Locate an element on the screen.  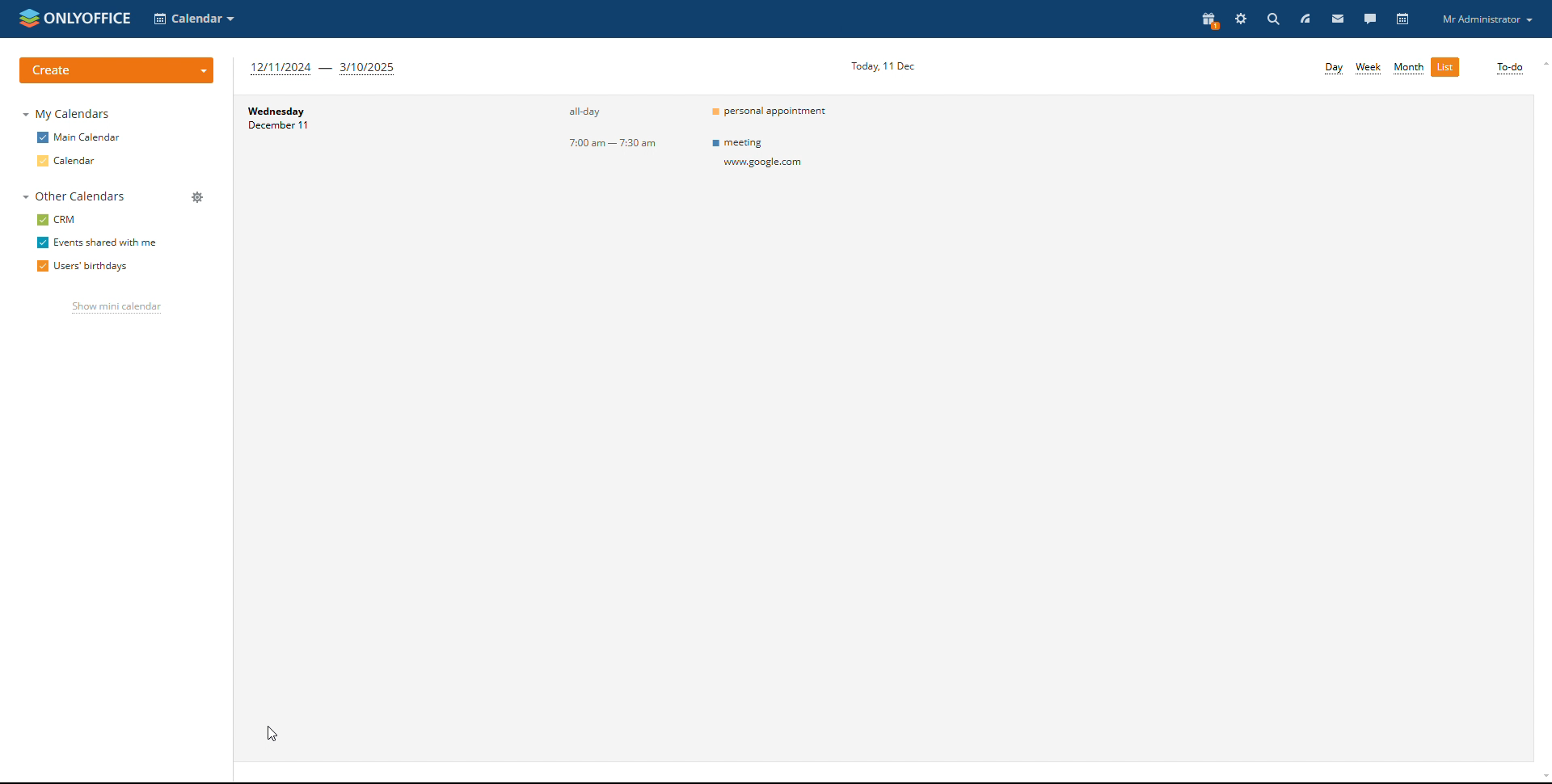
crm is located at coordinates (59, 219).